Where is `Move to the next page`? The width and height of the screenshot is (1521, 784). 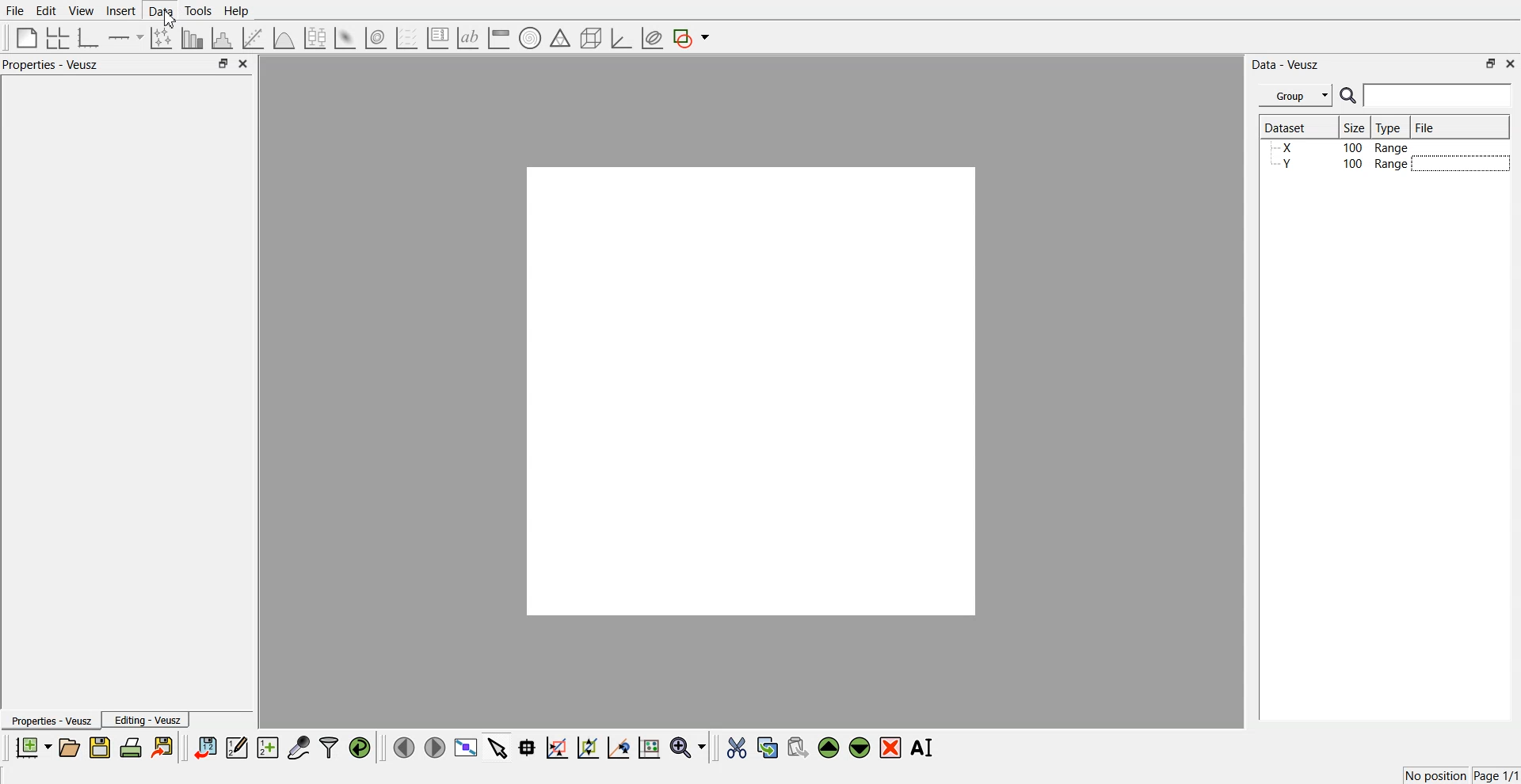
Move to the next page is located at coordinates (435, 746).